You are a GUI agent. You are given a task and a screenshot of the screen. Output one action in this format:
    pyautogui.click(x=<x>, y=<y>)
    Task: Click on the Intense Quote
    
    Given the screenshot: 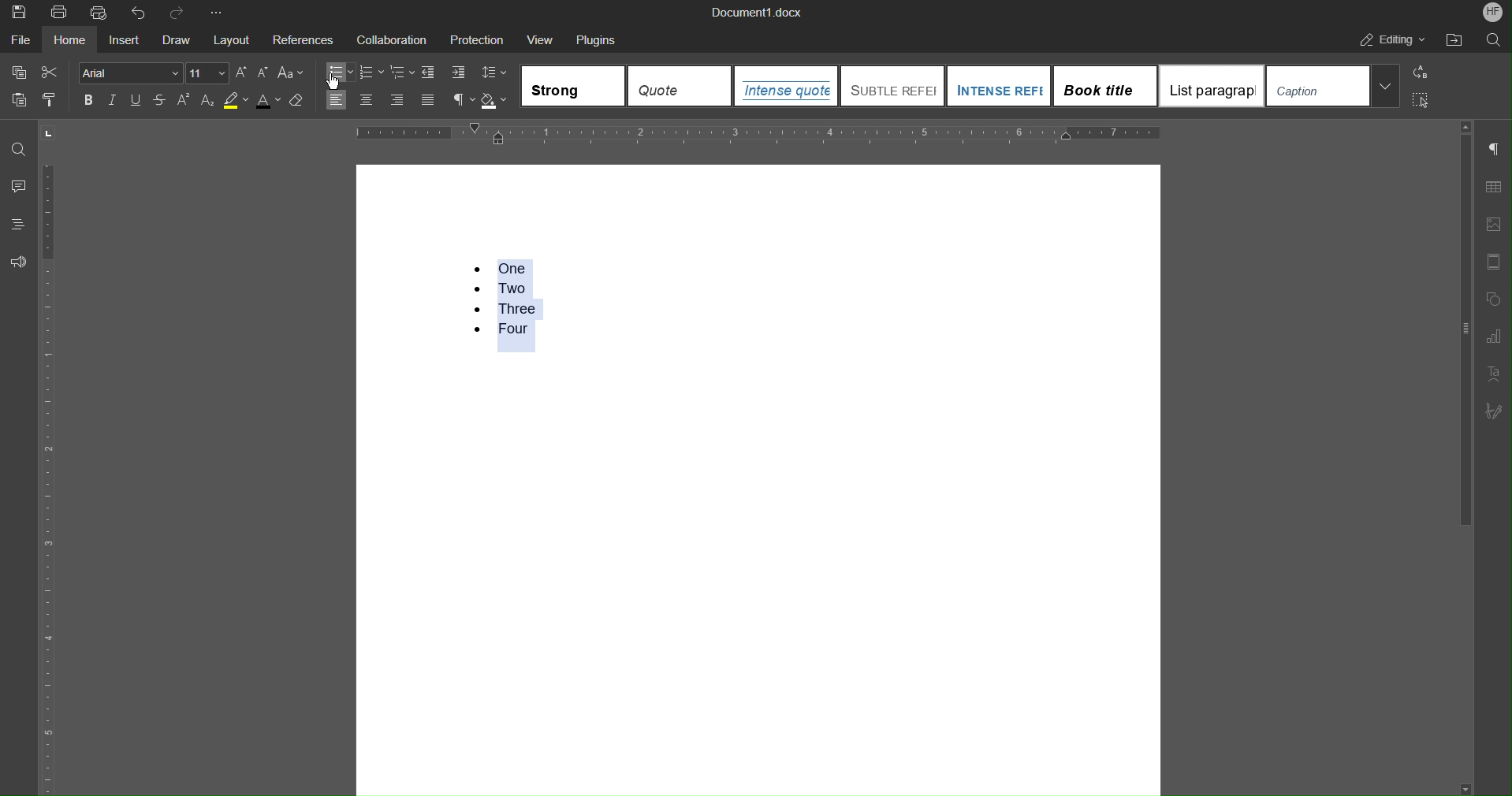 What is the action you would take?
    pyautogui.click(x=788, y=86)
    